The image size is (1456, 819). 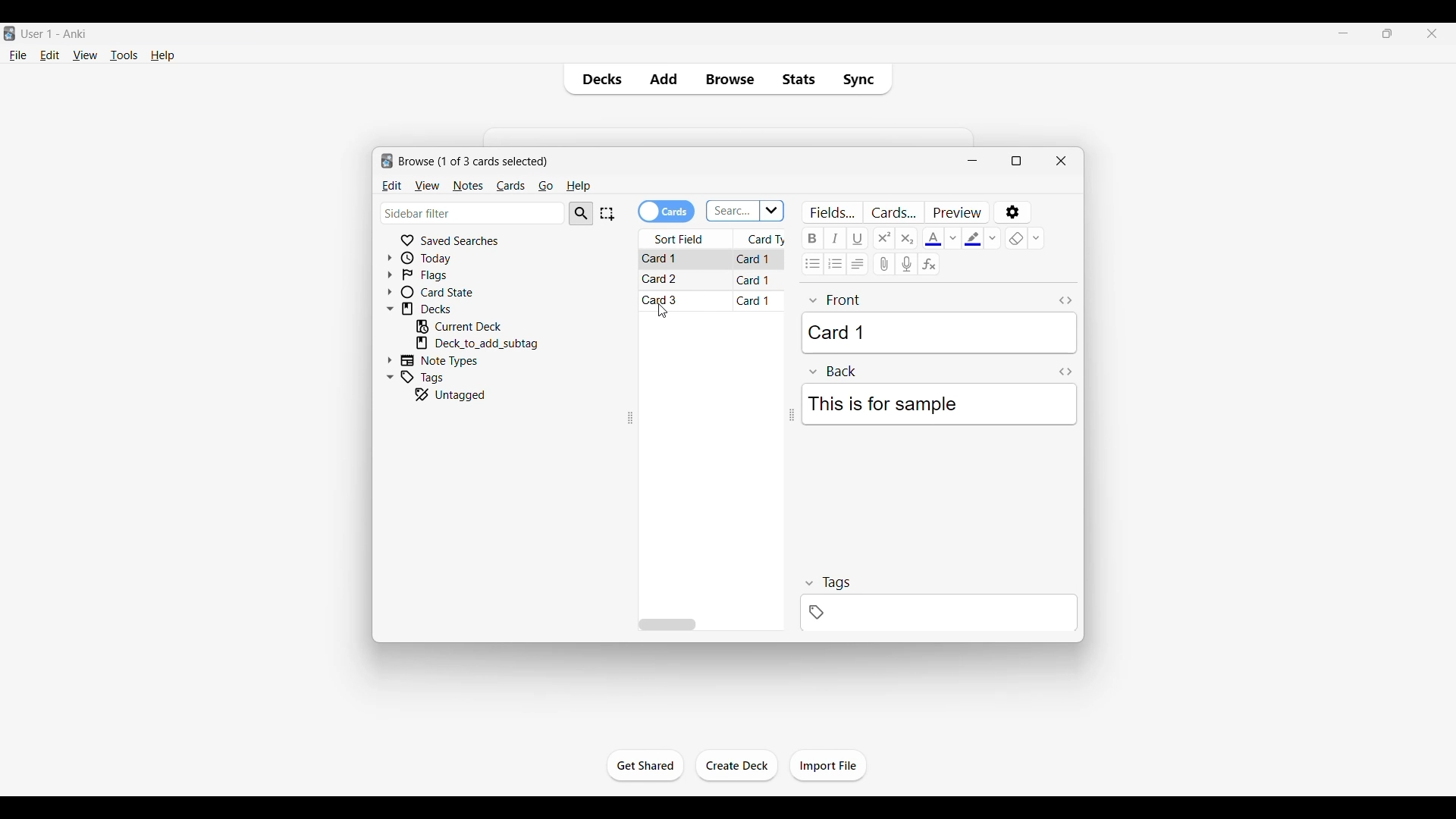 What do you see at coordinates (906, 264) in the screenshot?
I see `Record audio` at bounding box center [906, 264].